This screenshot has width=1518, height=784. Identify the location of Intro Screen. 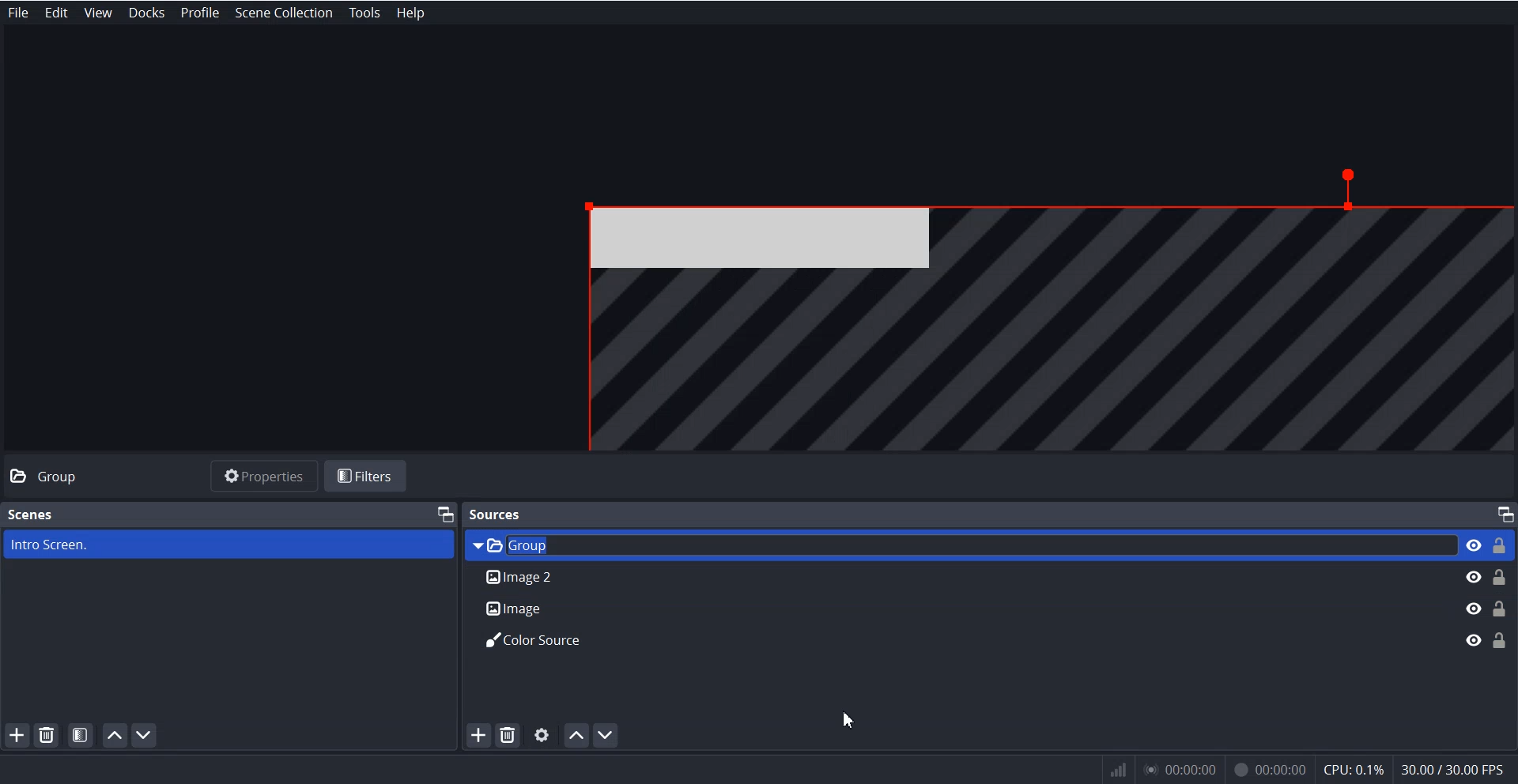
(226, 545).